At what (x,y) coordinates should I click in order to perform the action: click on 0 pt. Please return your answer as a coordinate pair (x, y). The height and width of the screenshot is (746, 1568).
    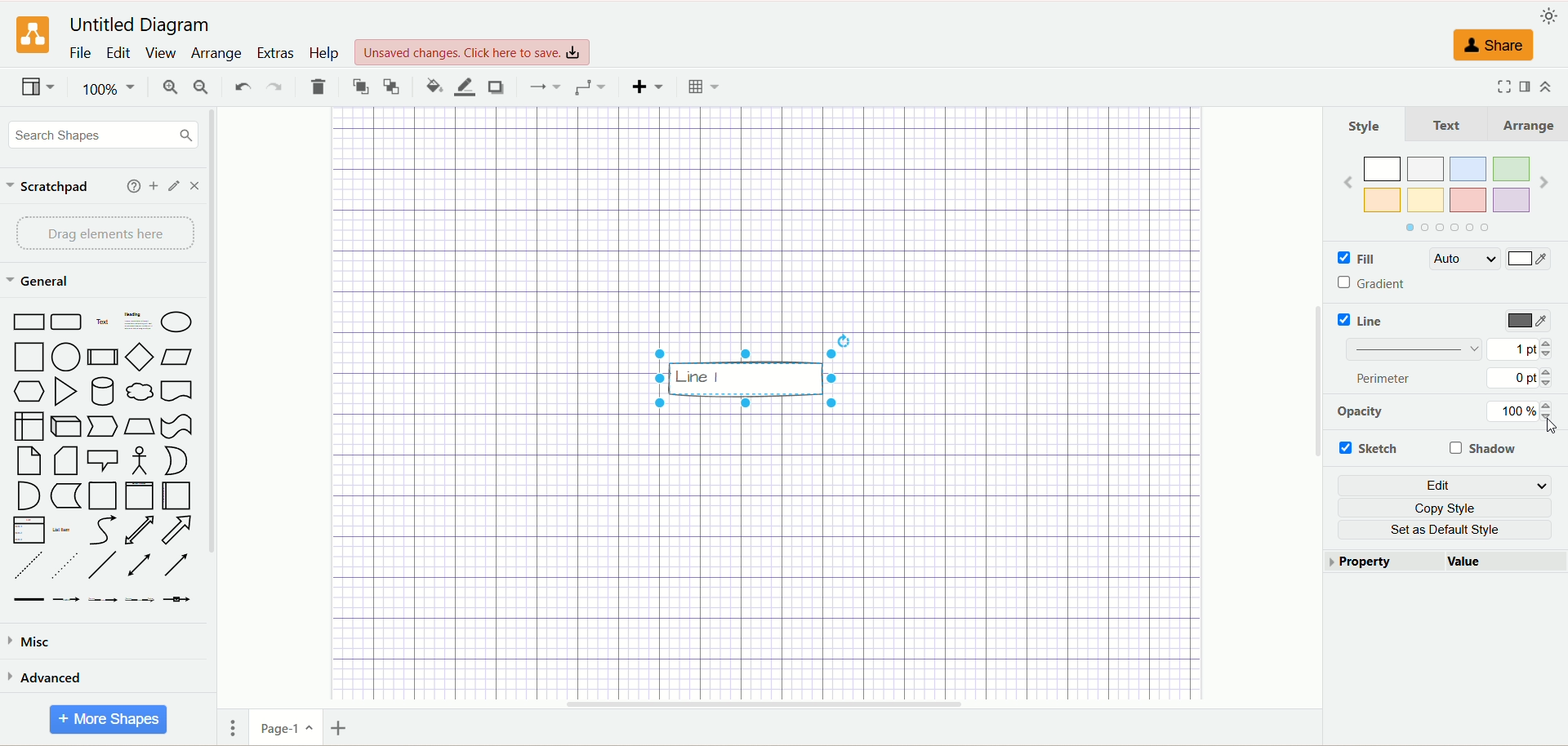
    Looking at the image, I should click on (1520, 380).